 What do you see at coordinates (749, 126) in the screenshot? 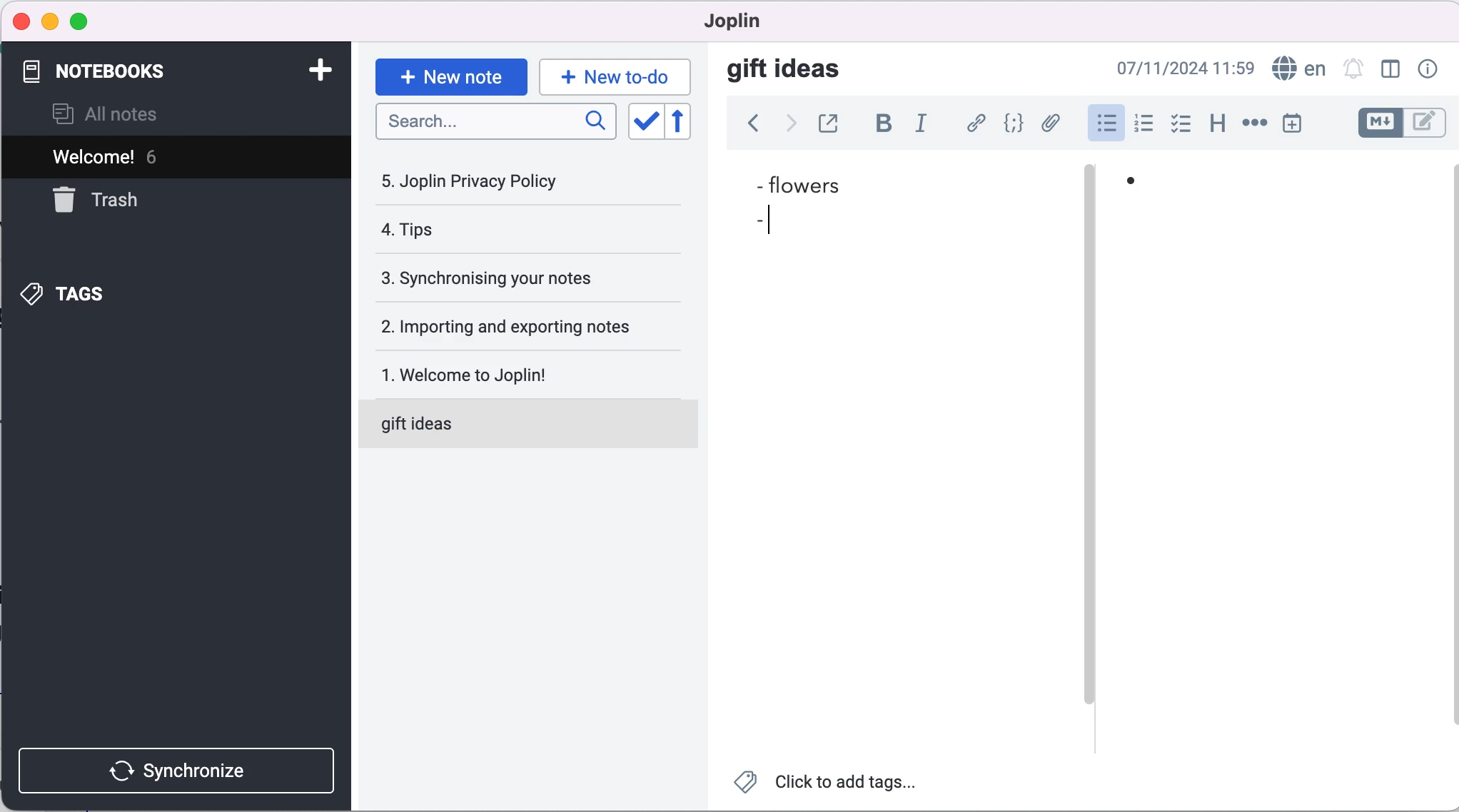
I see `back` at bounding box center [749, 126].